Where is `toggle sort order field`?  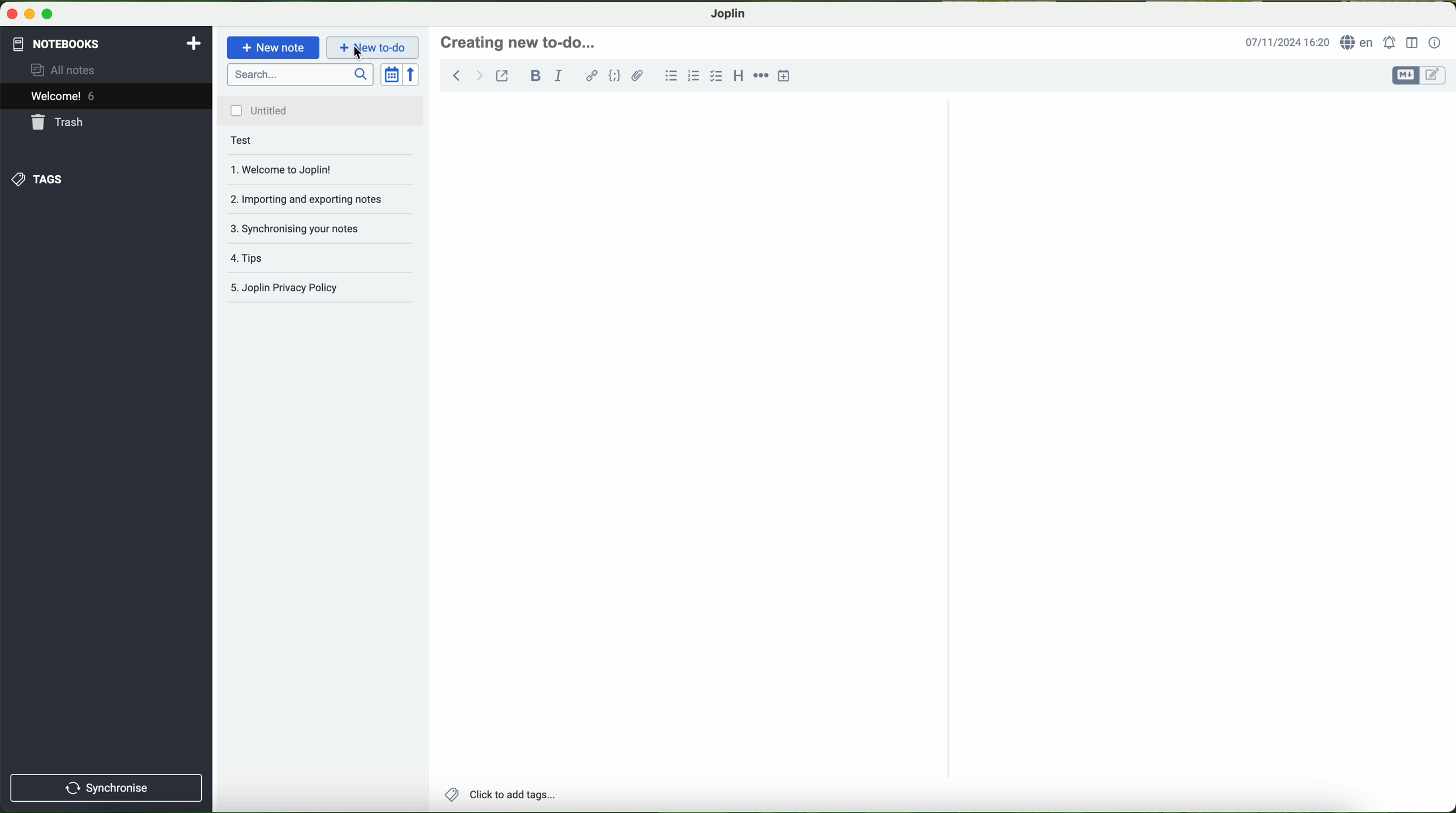 toggle sort order field is located at coordinates (391, 74).